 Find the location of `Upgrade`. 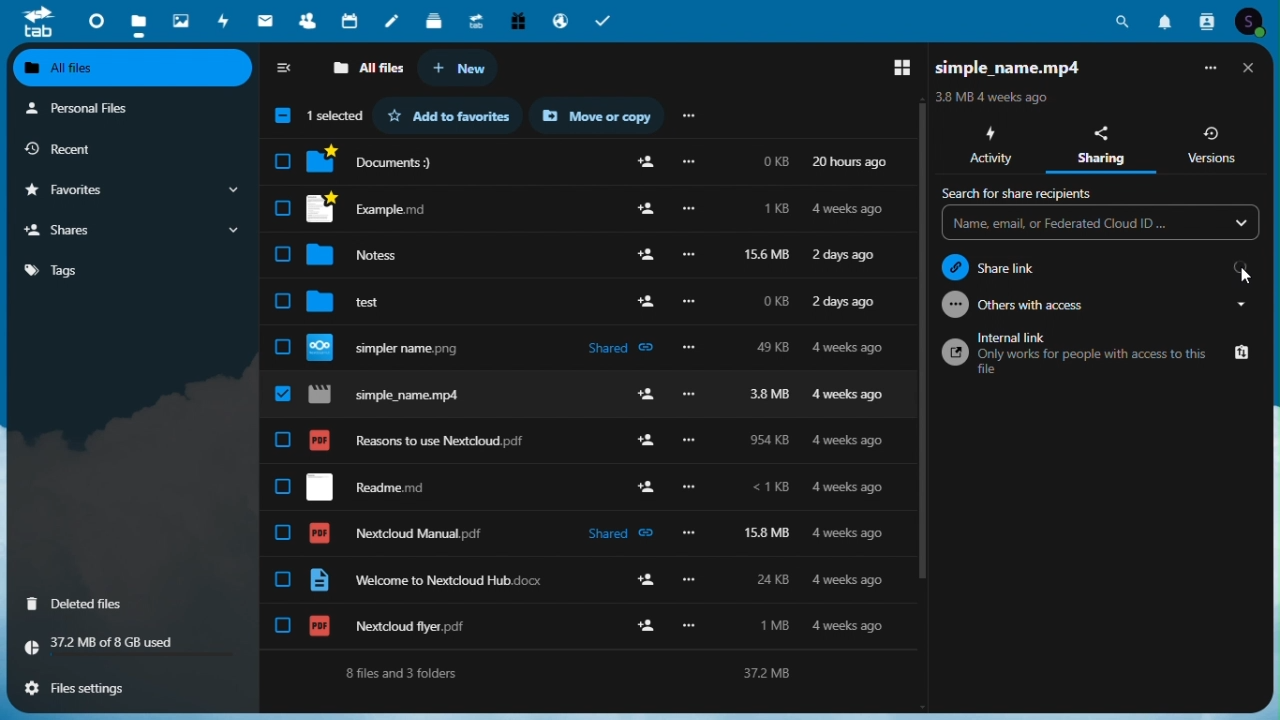

Upgrade is located at coordinates (476, 20).